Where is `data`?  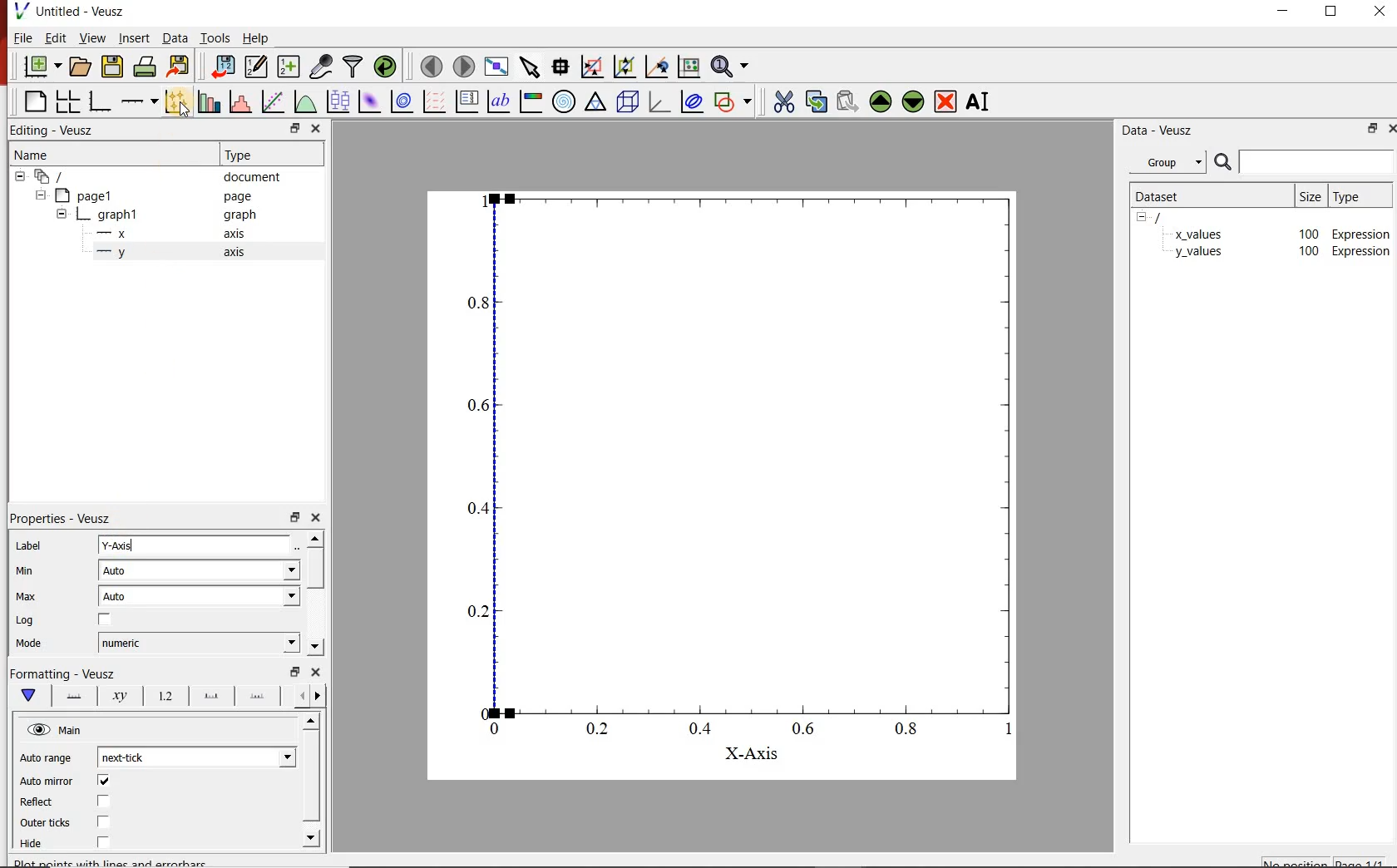 data is located at coordinates (175, 37).